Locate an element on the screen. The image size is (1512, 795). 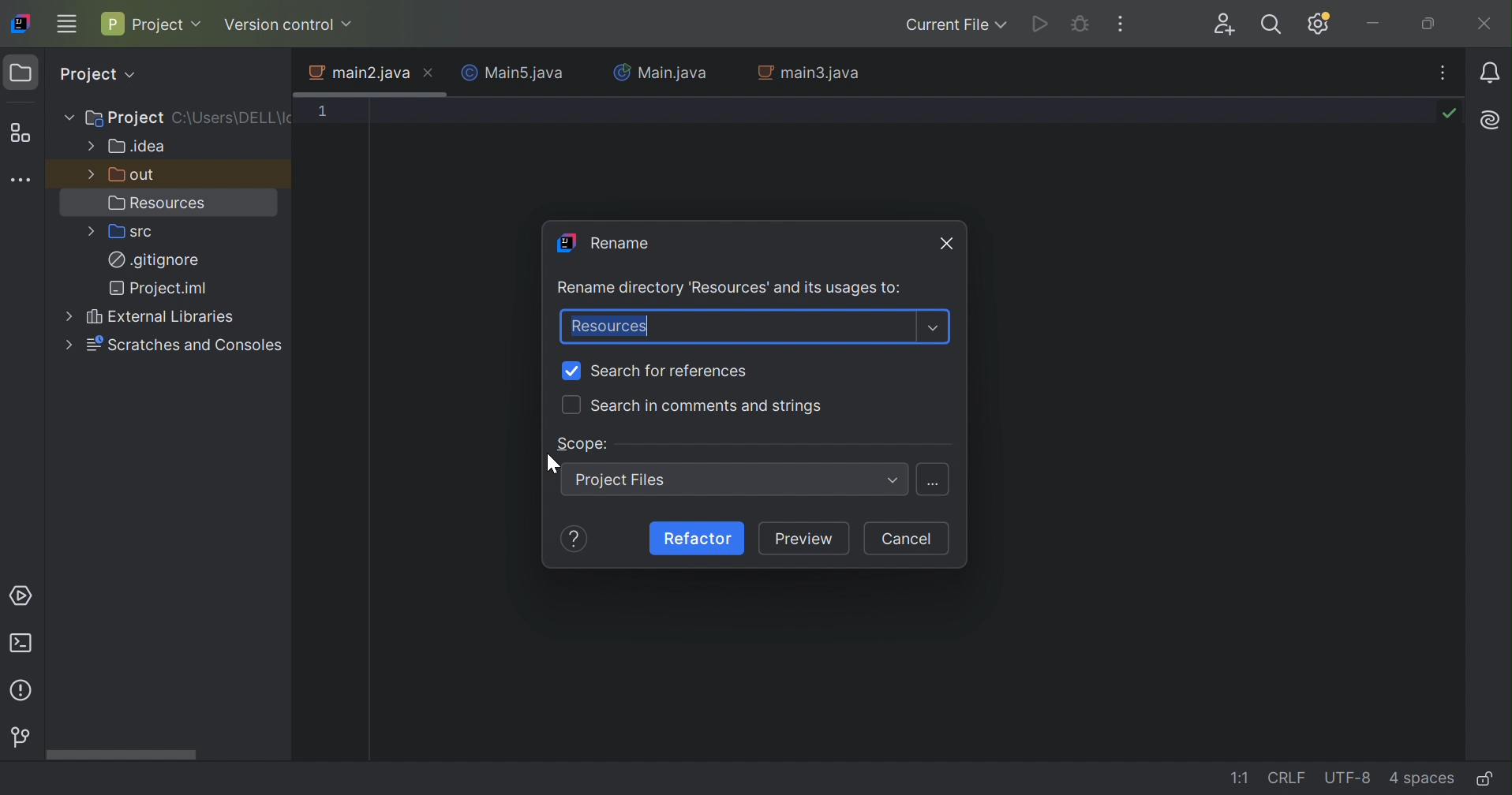
Search in comments and strings is located at coordinates (709, 406).